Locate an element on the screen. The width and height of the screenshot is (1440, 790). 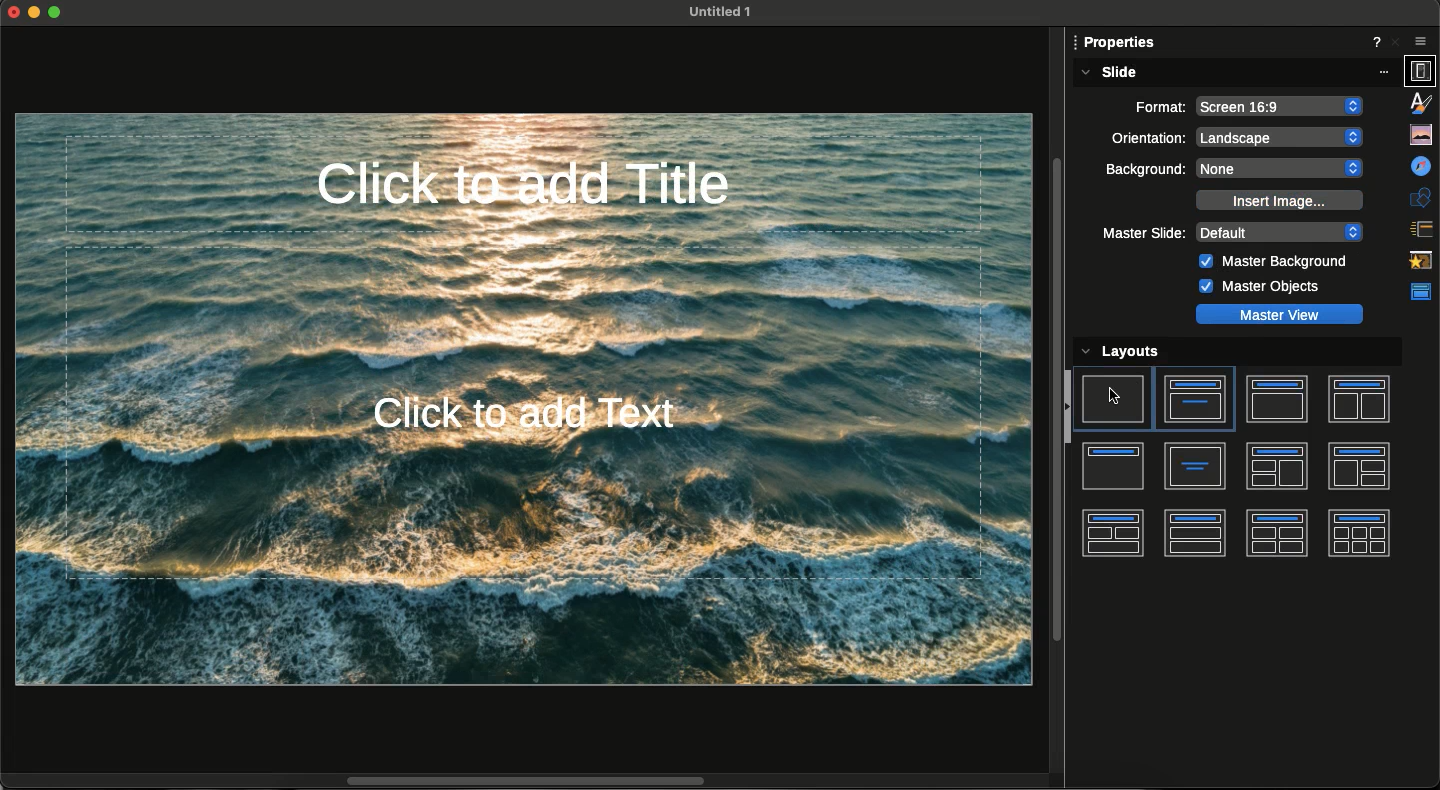
Slide is located at coordinates (1108, 73).